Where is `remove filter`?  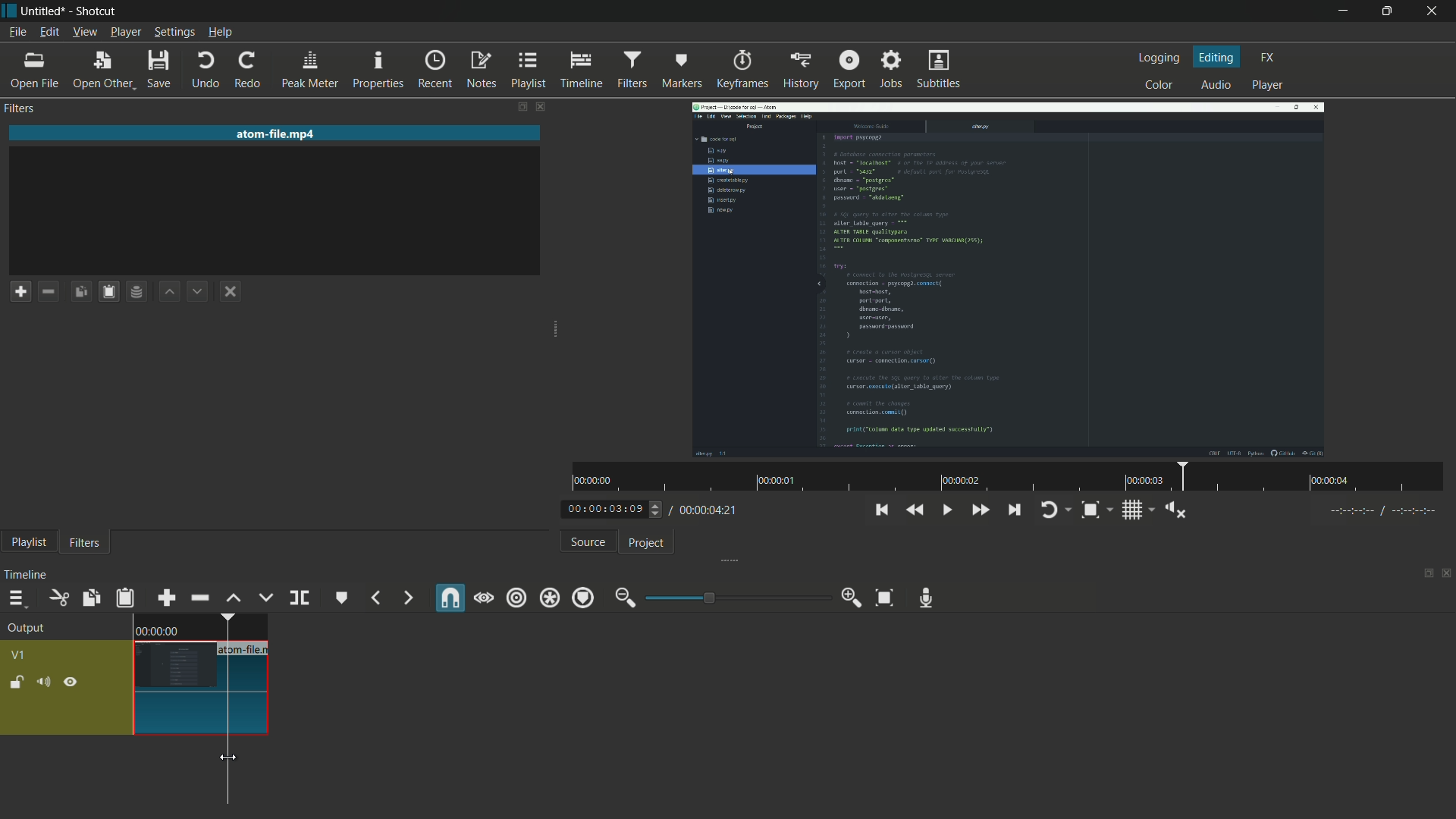
remove filter is located at coordinates (49, 291).